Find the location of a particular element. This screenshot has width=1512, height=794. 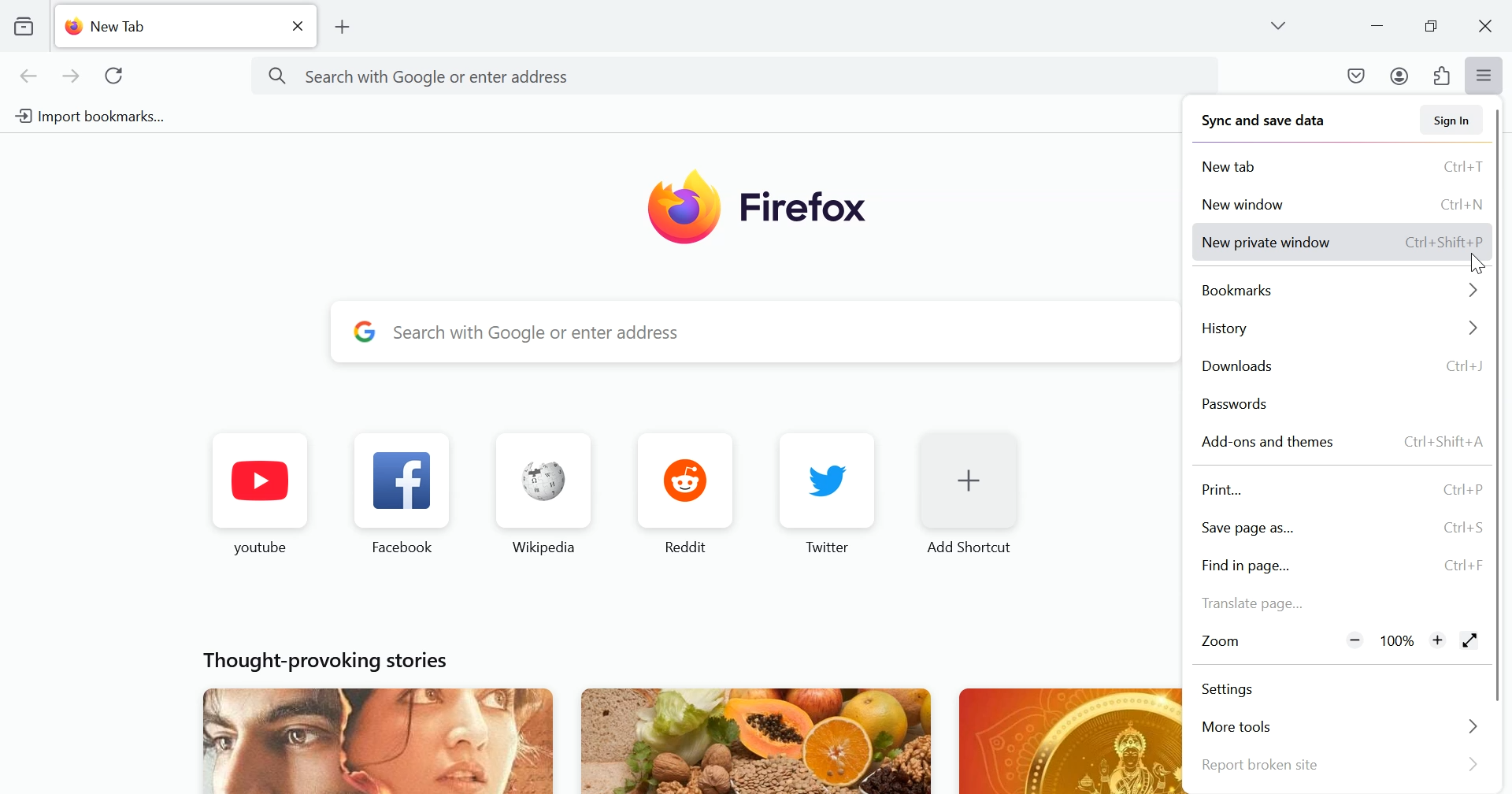

Minimize is located at coordinates (1379, 25).